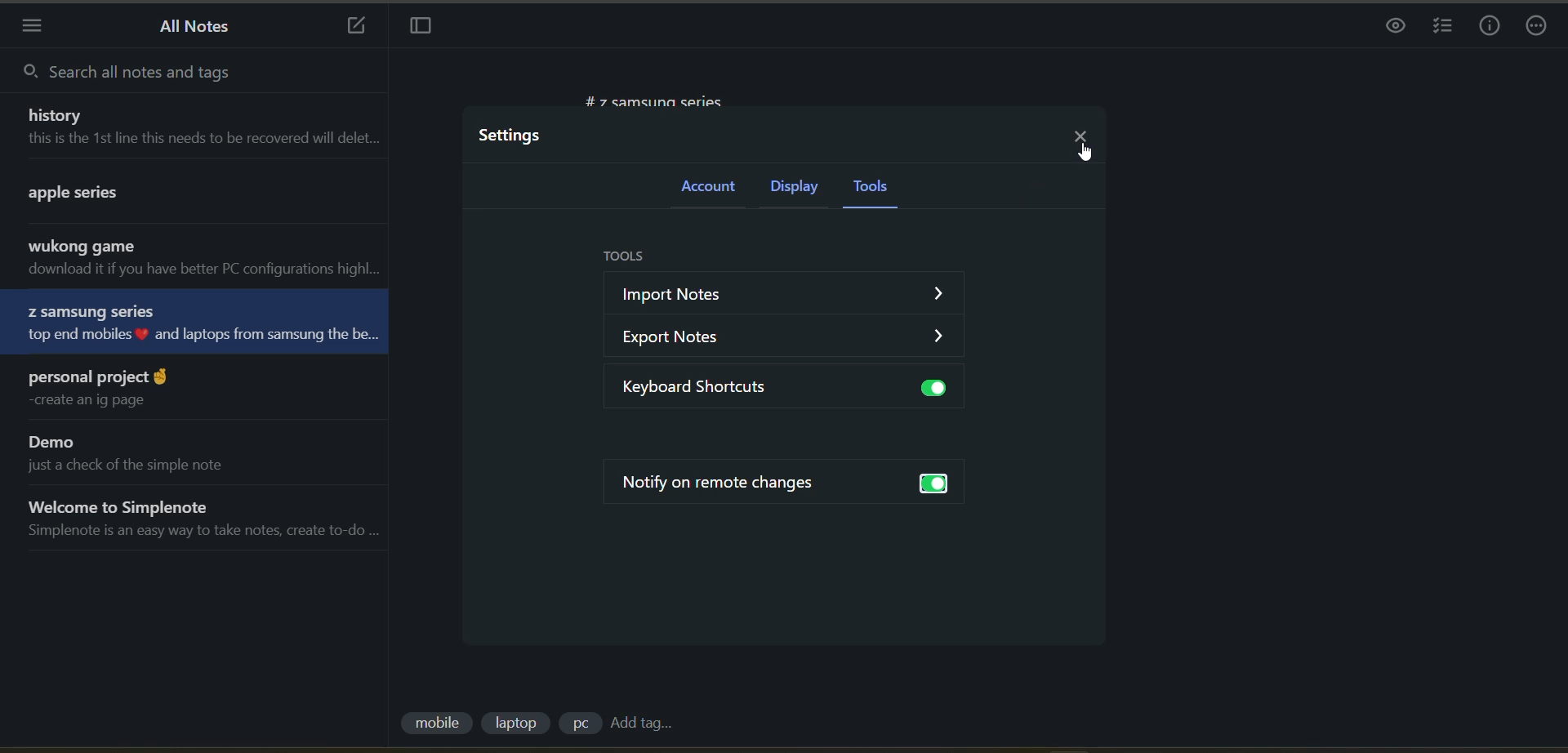  I want to click on export notes, so click(792, 336).